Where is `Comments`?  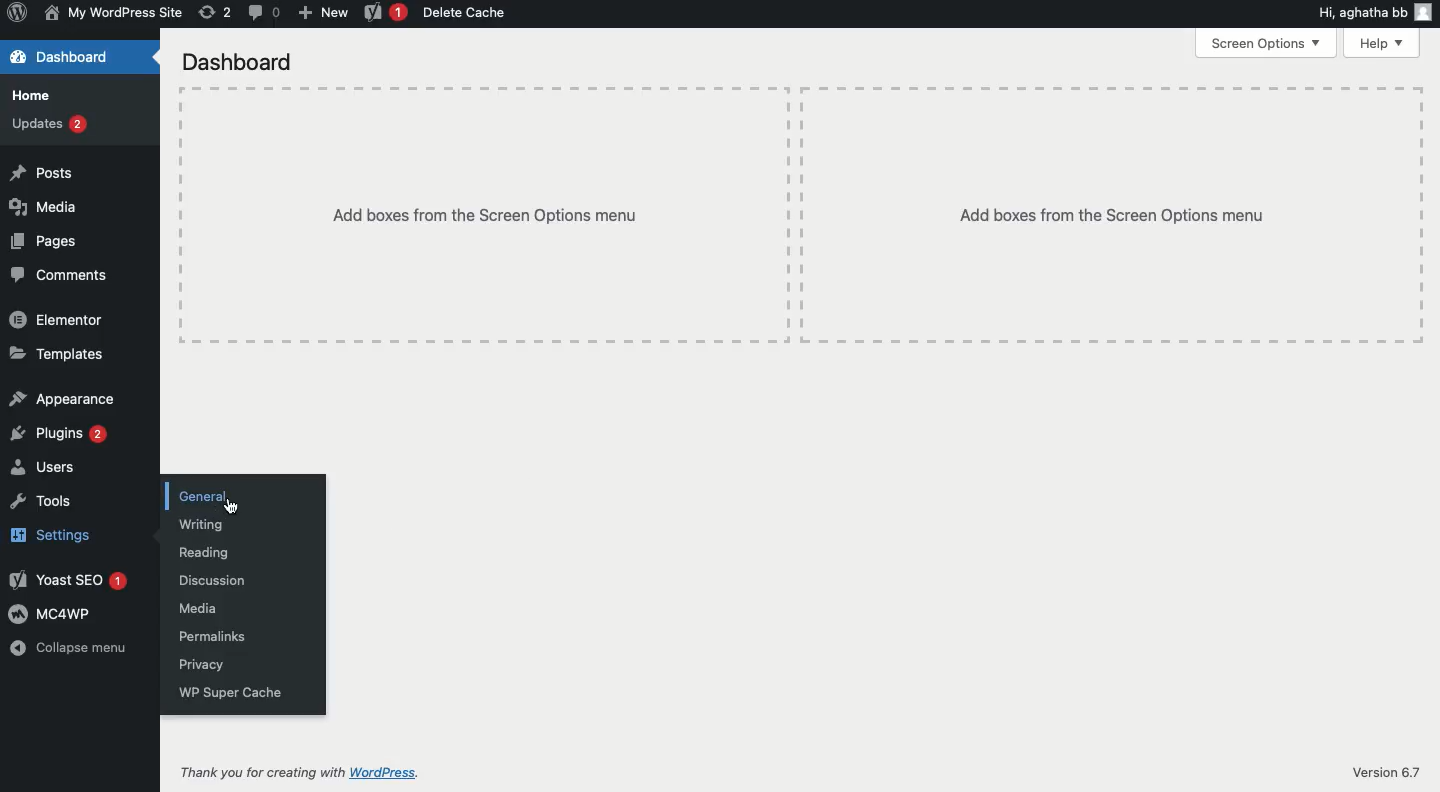
Comments is located at coordinates (57, 274).